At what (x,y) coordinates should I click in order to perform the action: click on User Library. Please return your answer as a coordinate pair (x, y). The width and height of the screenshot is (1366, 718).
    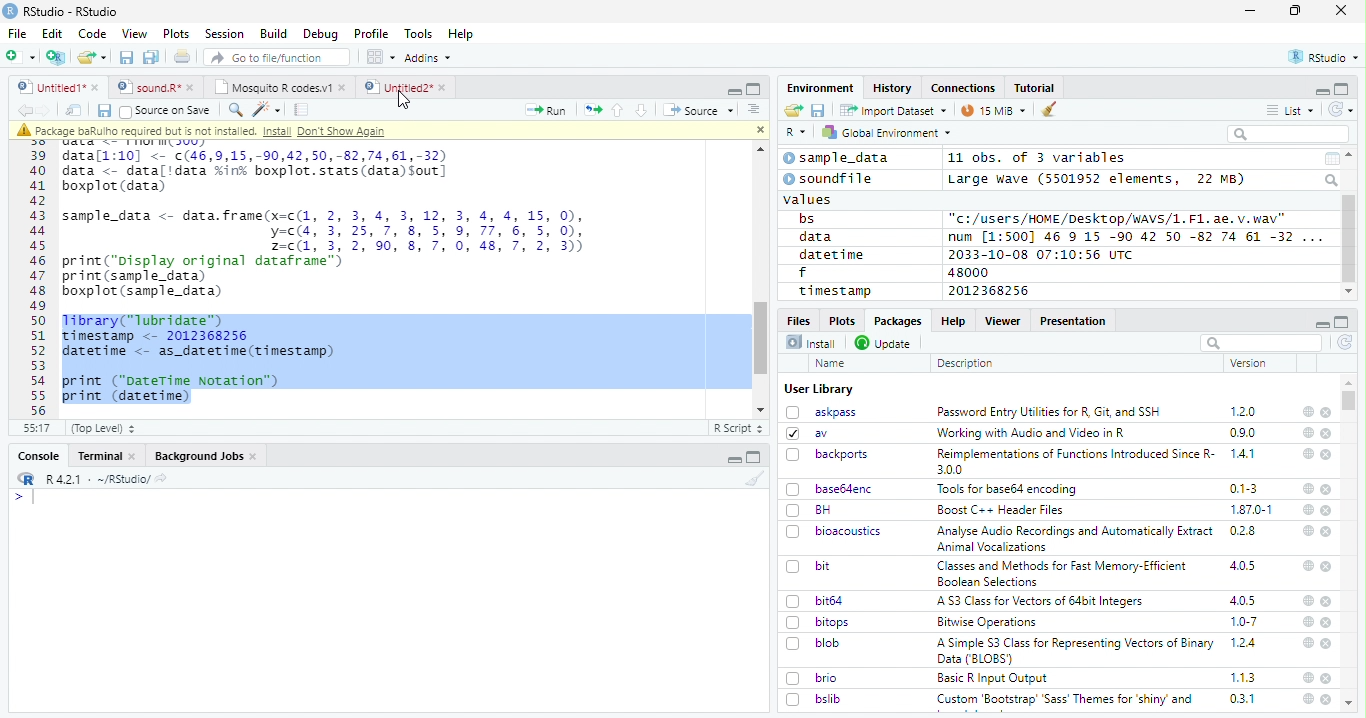
    Looking at the image, I should click on (819, 389).